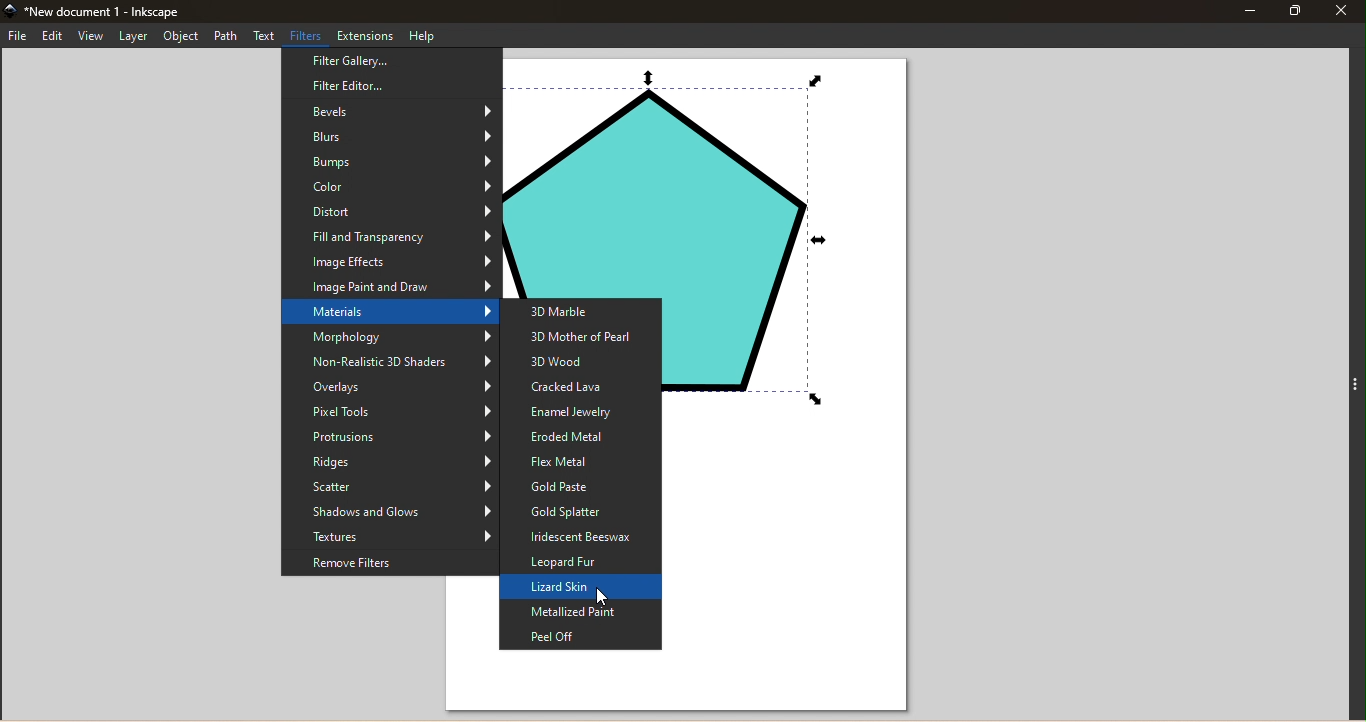  What do you see at coordinates (391, 60) in the screenshot?
I see `Filter Gallery` at bounding box center [391, 60].